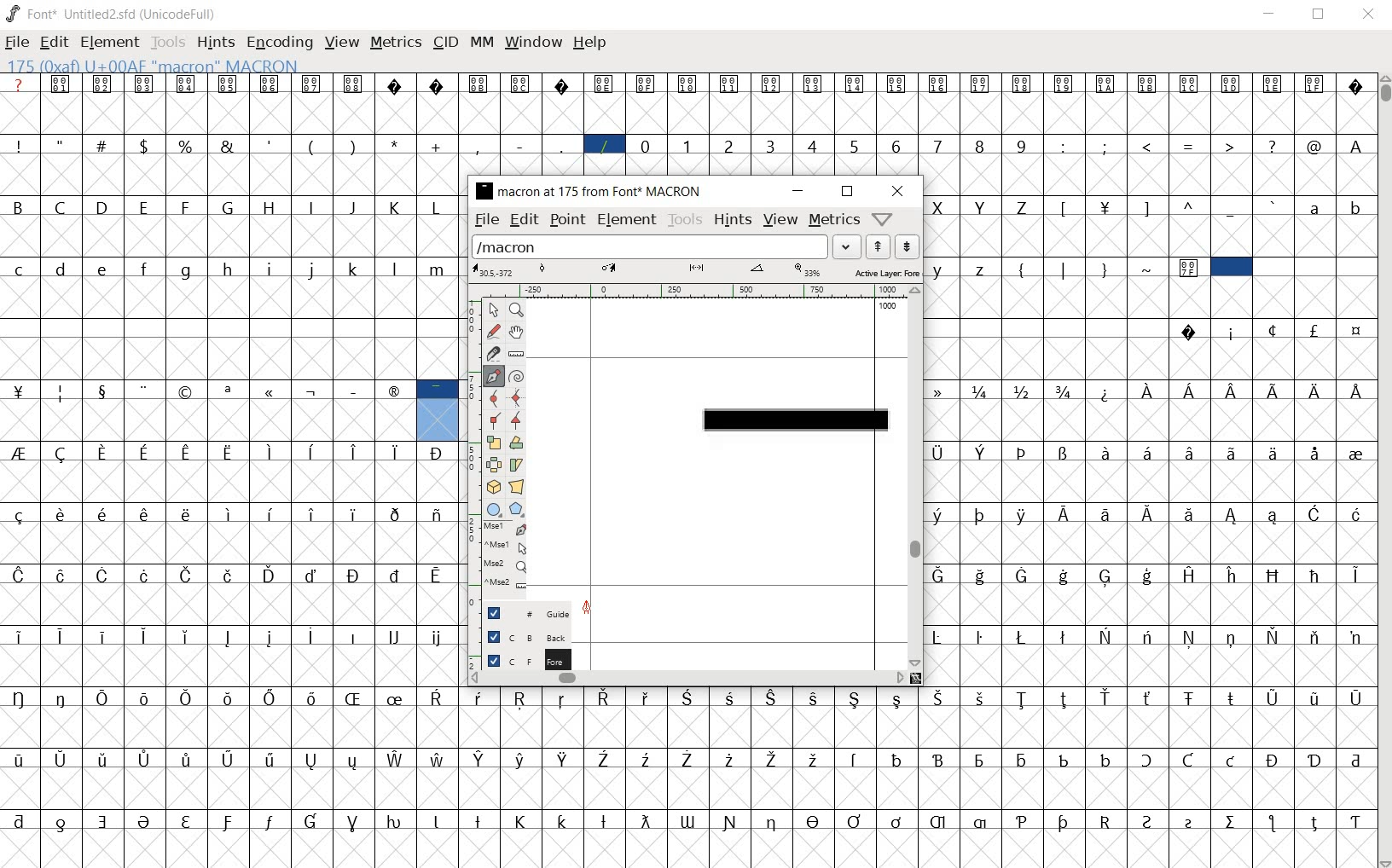  I want to click on Symbol, so click(312, 84).